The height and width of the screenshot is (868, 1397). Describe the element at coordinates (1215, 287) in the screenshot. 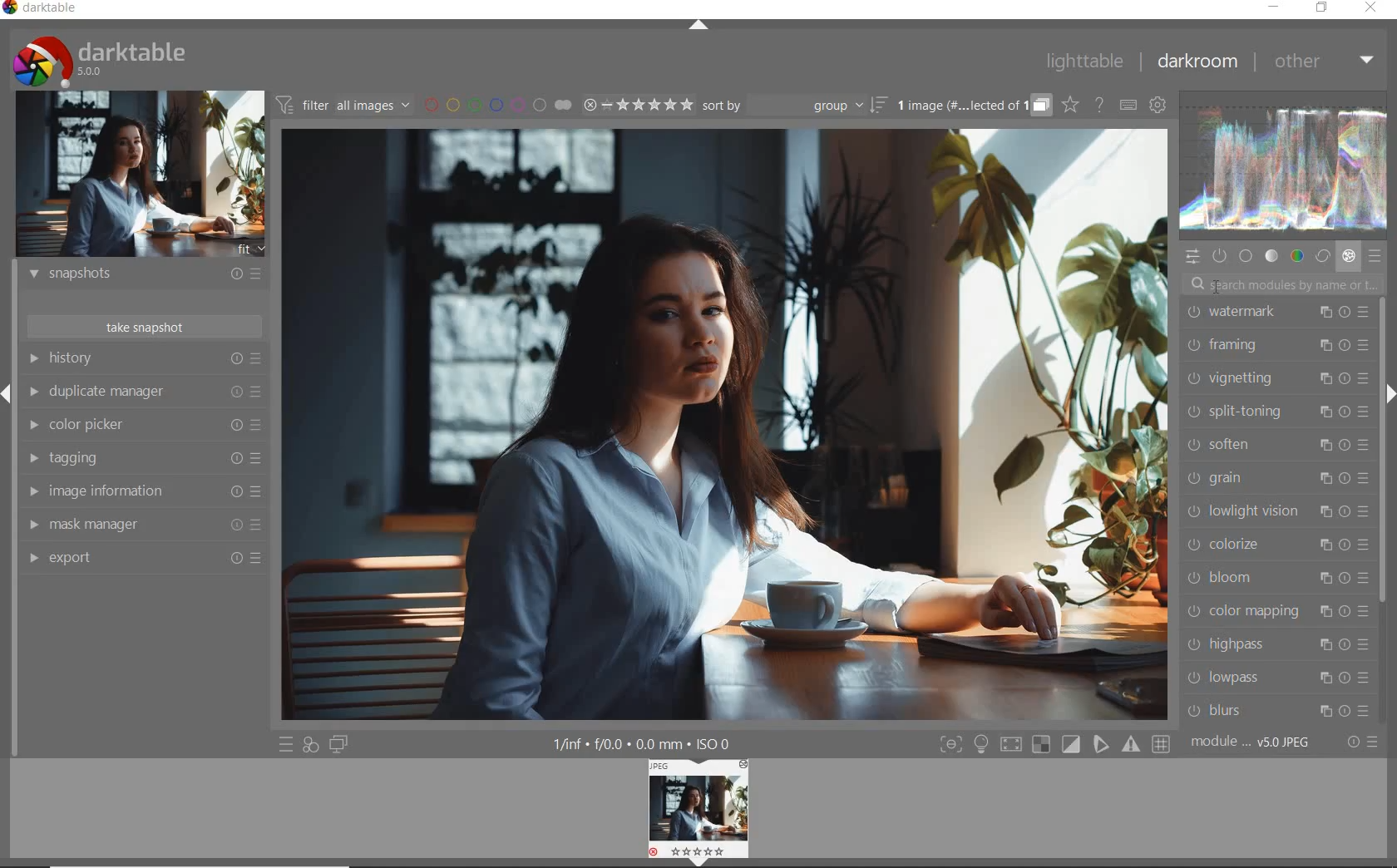

I see `cursor` at that location.